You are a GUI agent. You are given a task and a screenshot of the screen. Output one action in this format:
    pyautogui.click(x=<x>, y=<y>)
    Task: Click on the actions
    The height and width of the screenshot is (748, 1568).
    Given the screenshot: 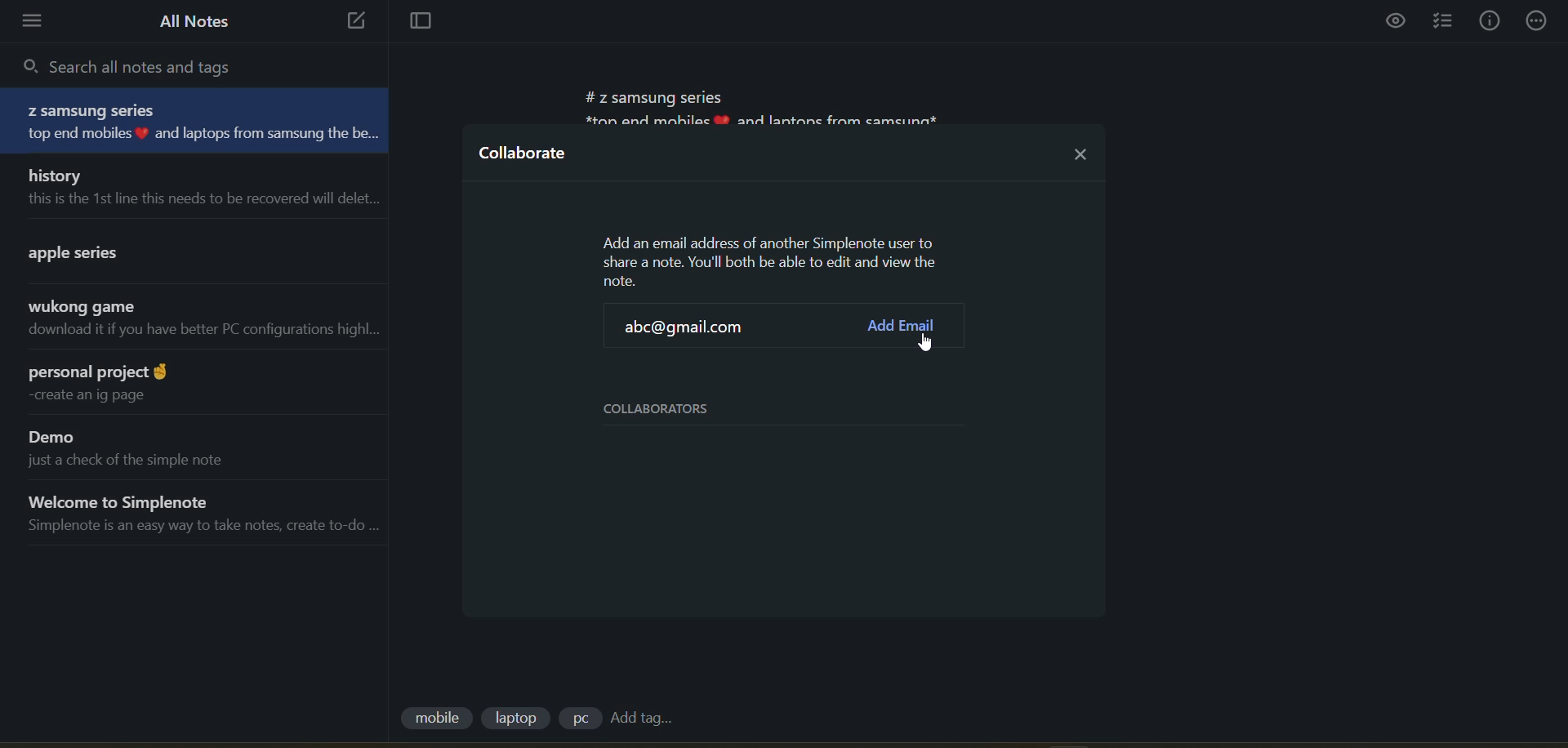 What is the action you would take?
    pyautogui.click(x=1540, y=20)
    